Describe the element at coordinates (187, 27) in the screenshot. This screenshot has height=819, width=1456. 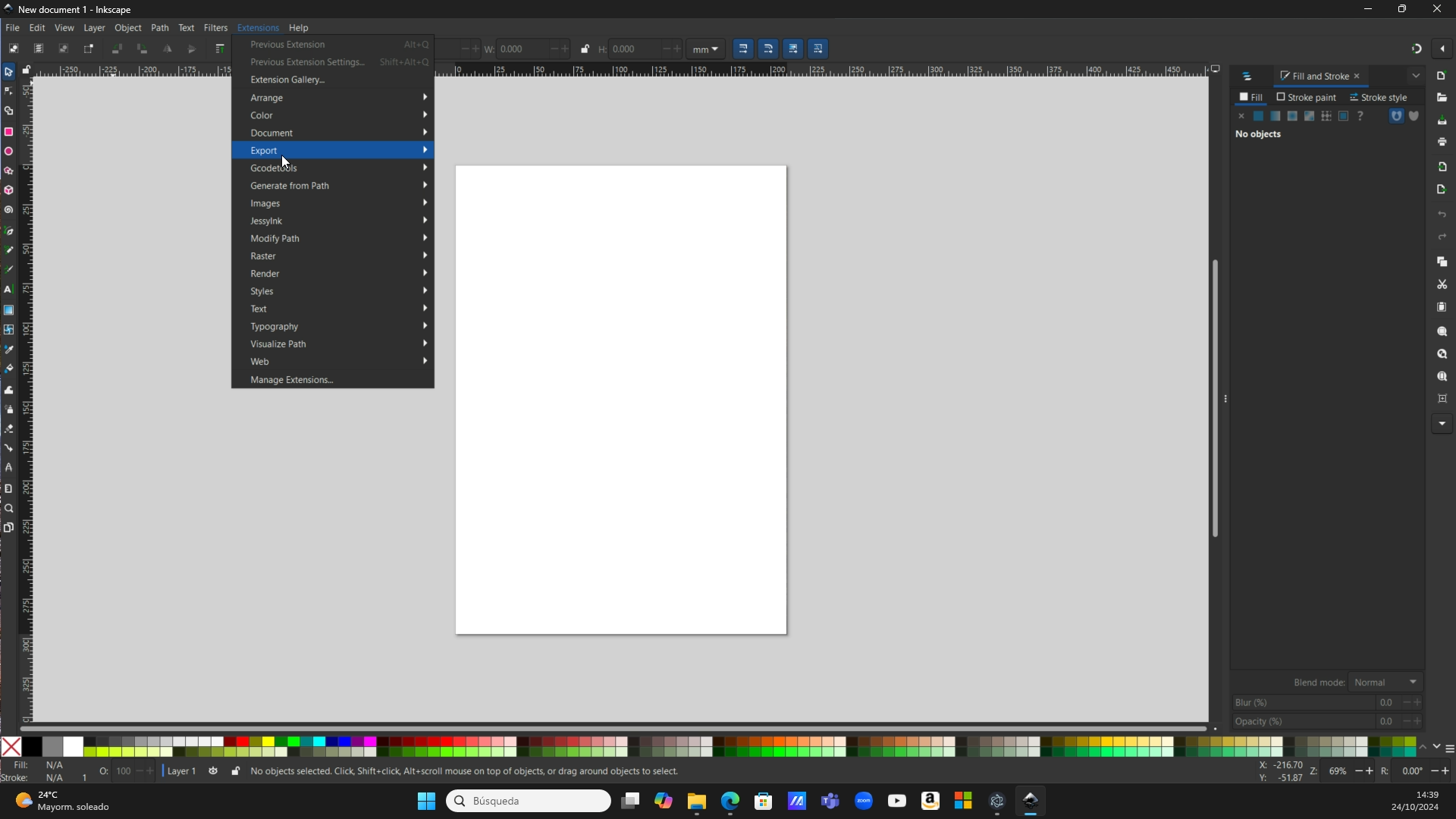
I see `Text` at that location.